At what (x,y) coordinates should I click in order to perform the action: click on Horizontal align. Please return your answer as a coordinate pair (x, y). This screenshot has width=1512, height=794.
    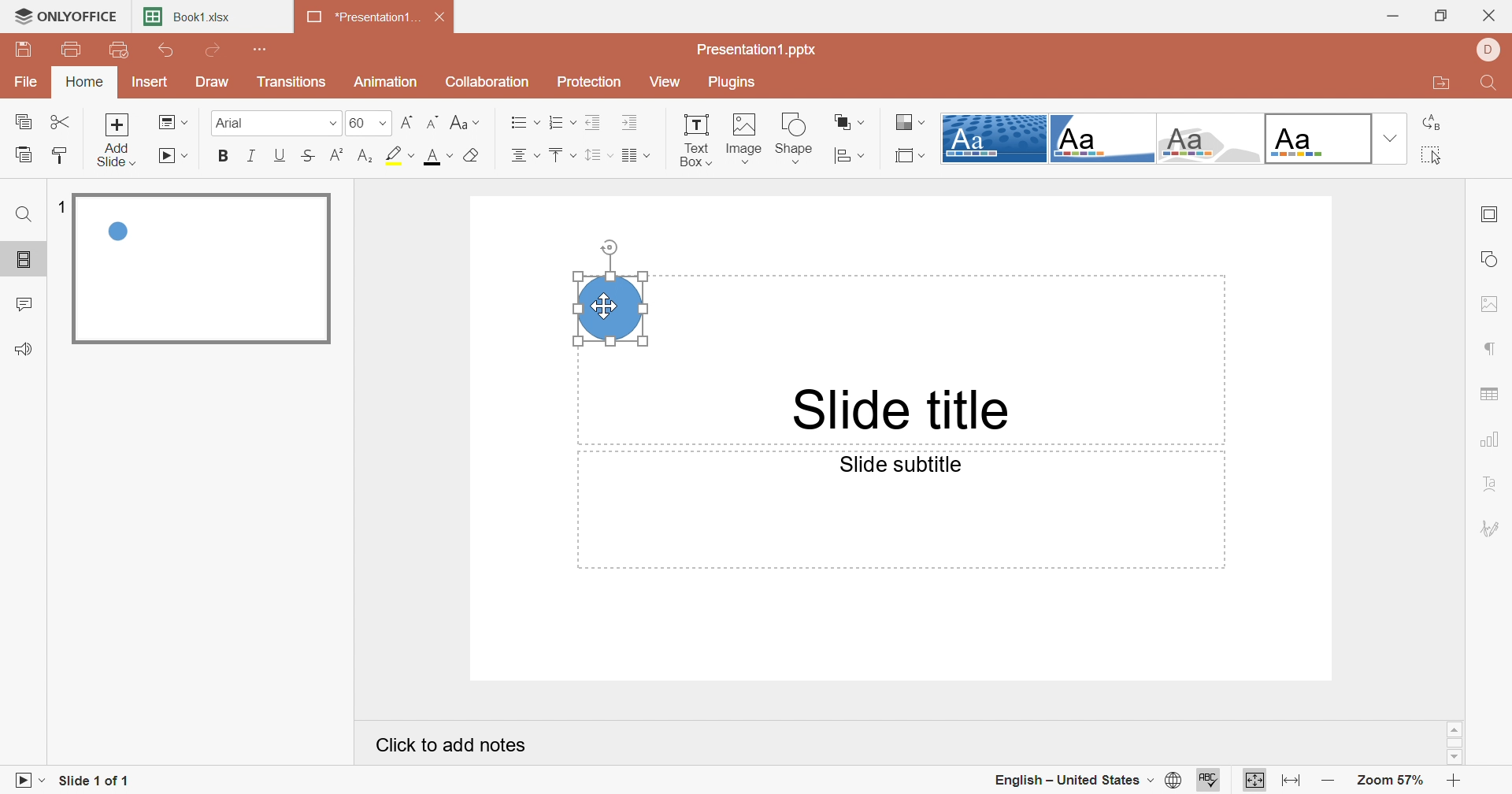
    Looking at the image, I should click on (525, 155).